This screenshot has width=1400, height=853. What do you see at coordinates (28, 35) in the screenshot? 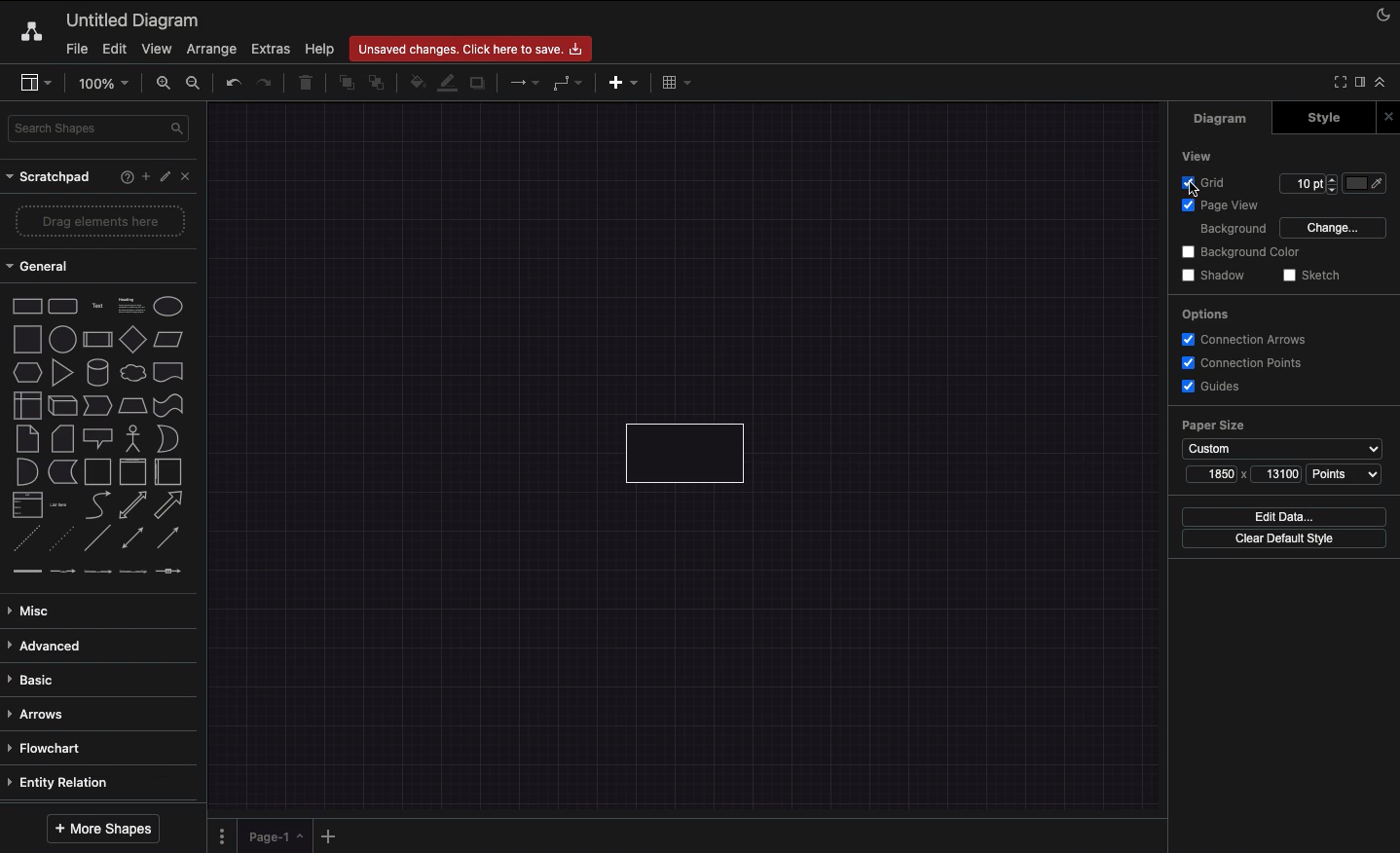
I see `Draw.io` at bounding box center [28, 35].